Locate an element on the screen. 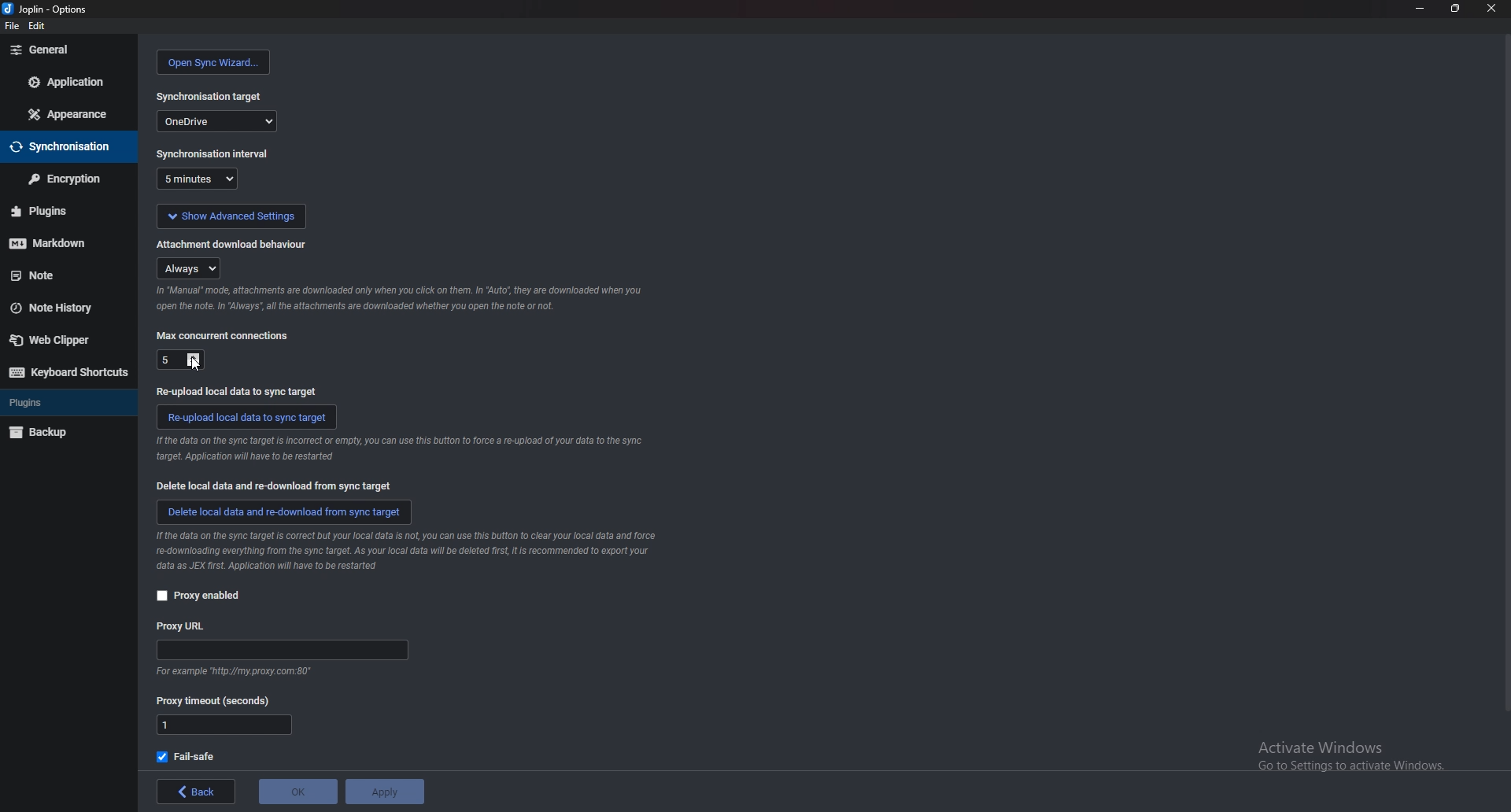 The width and height of the screenshot is (1511, 812). ok is located at coordinates (296, 792).